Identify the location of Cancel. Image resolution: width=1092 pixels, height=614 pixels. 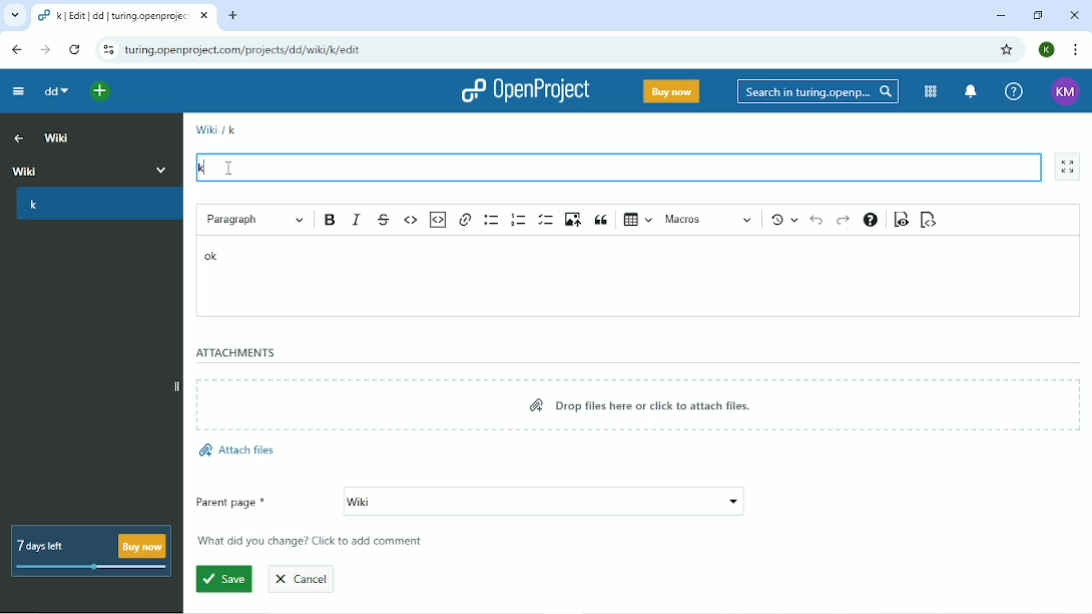
(305, 579).